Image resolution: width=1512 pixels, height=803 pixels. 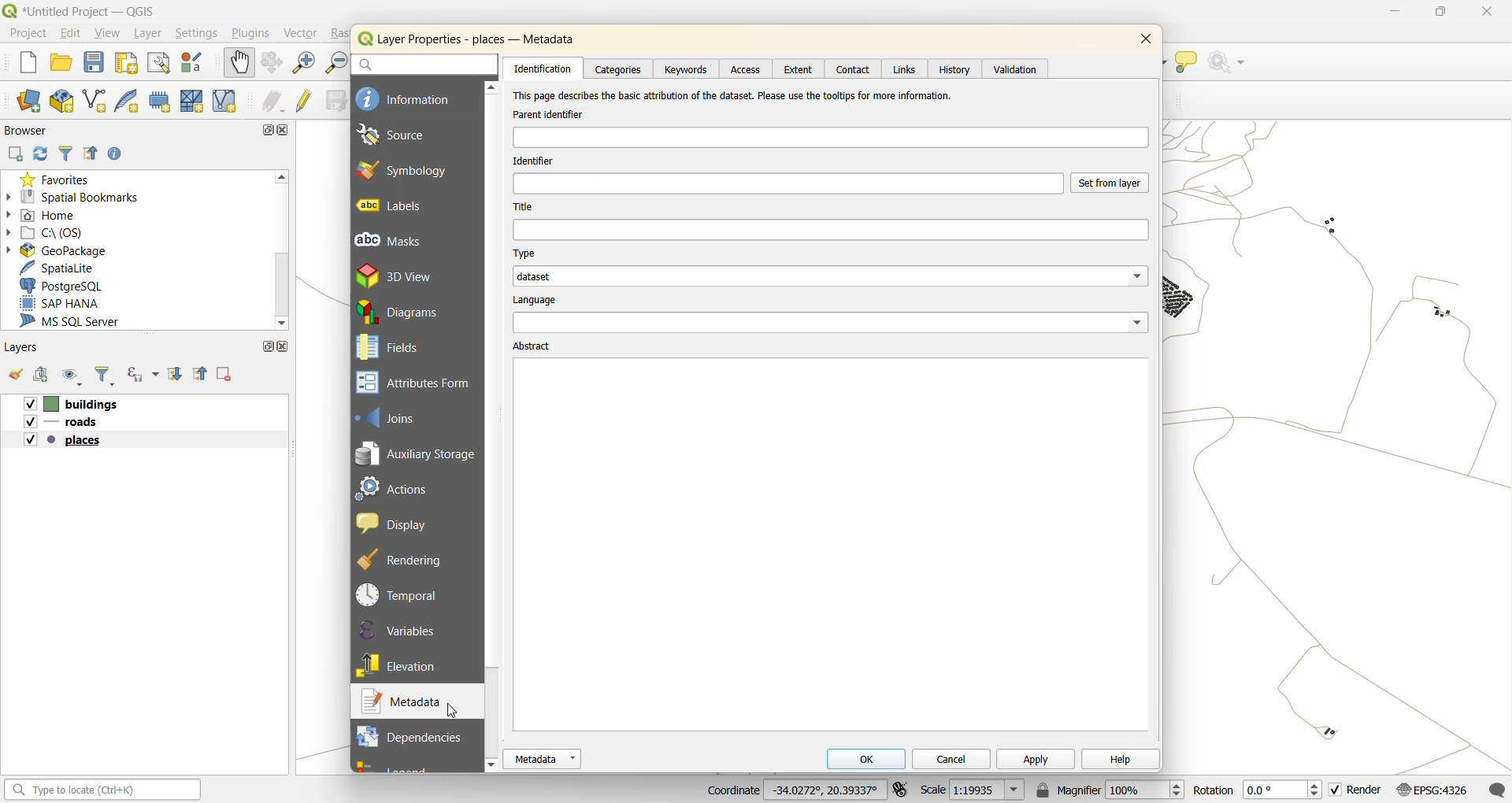 I want to click on symbology, so click(x=406, y=170).